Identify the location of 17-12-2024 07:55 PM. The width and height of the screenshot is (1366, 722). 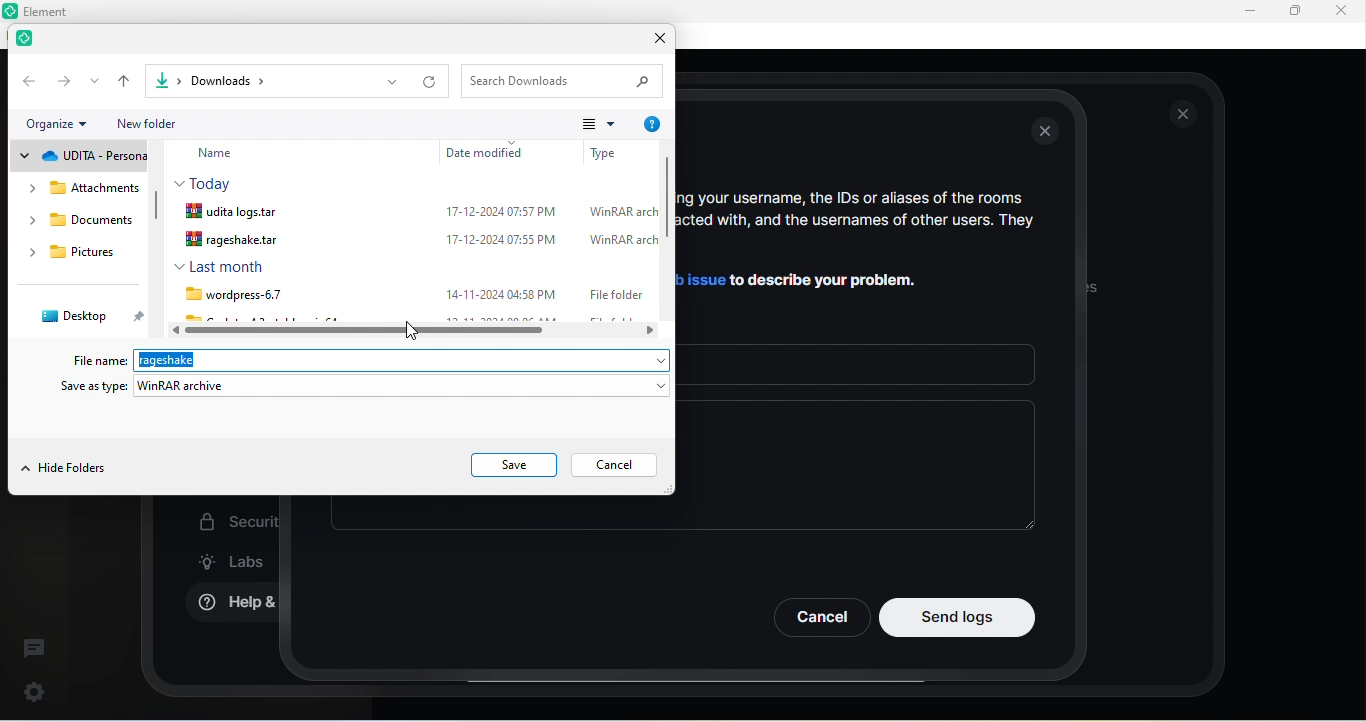
(495, 238).